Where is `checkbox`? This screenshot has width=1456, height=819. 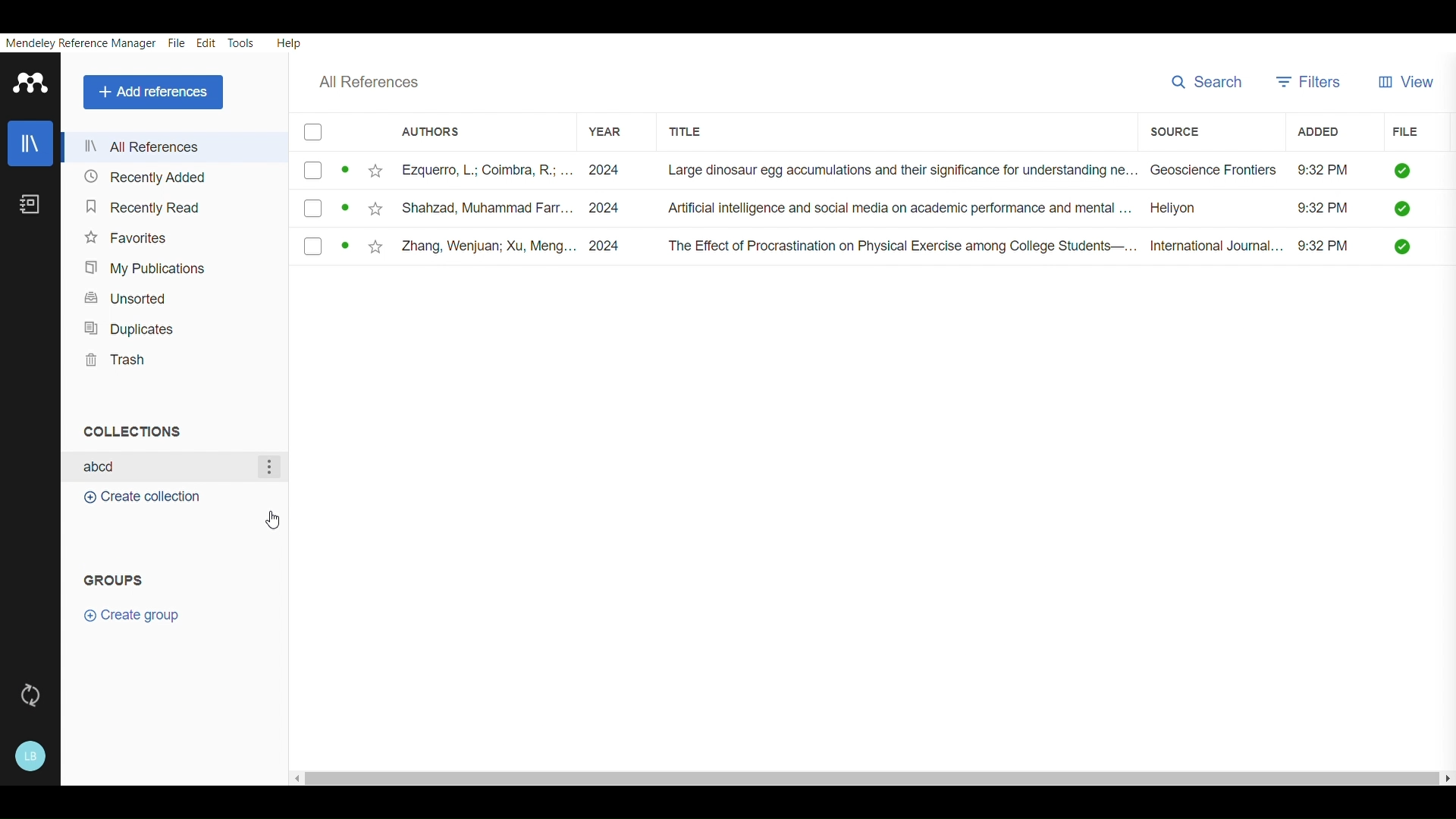
checkbox is located at coordinates (328, 246).